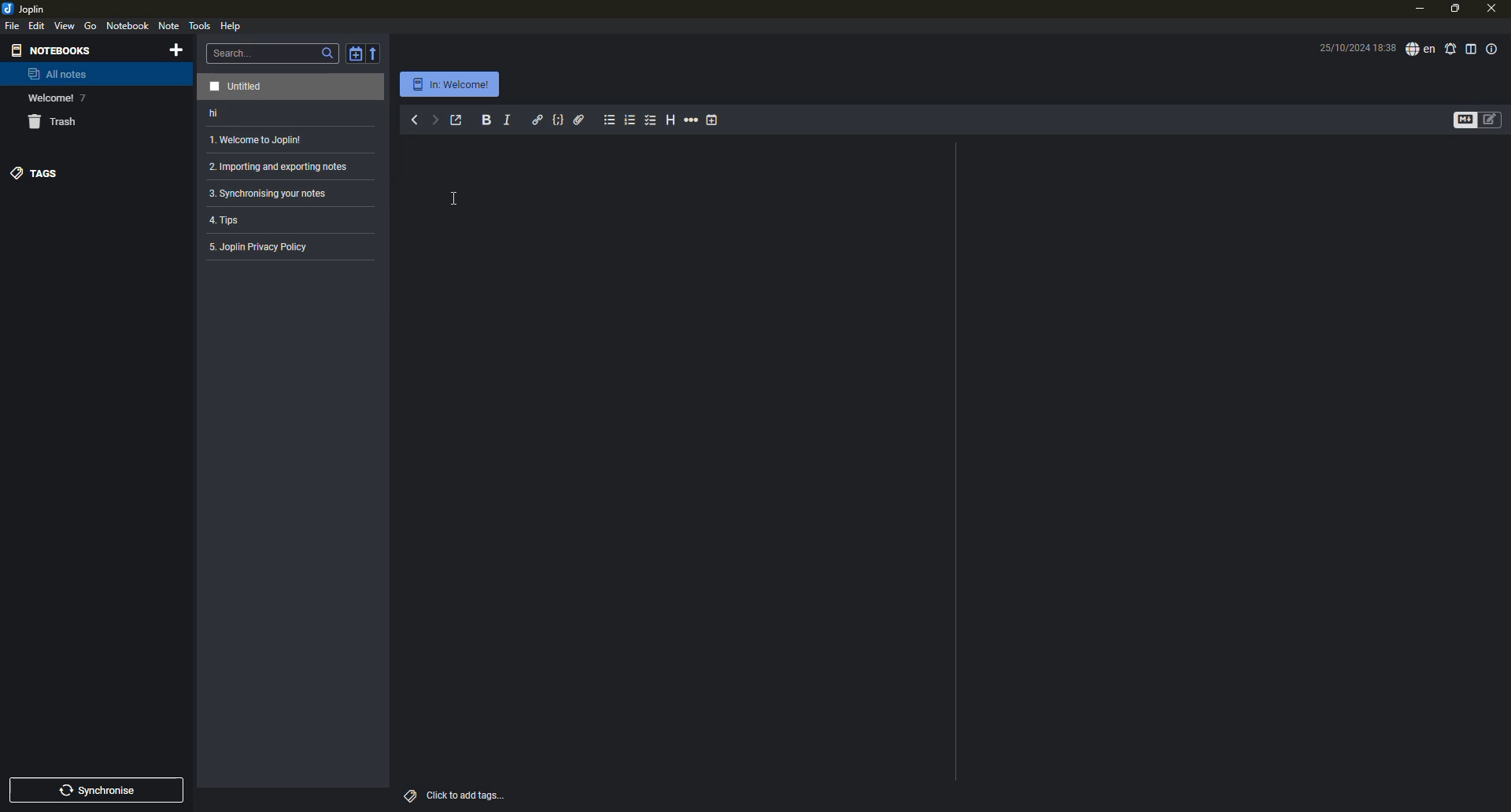 Image resolution: width=1511 pixels, height=812 pixels. Describe the element at coordinates (609, 120) in the screenshot. I see `bulleted list` at that location.